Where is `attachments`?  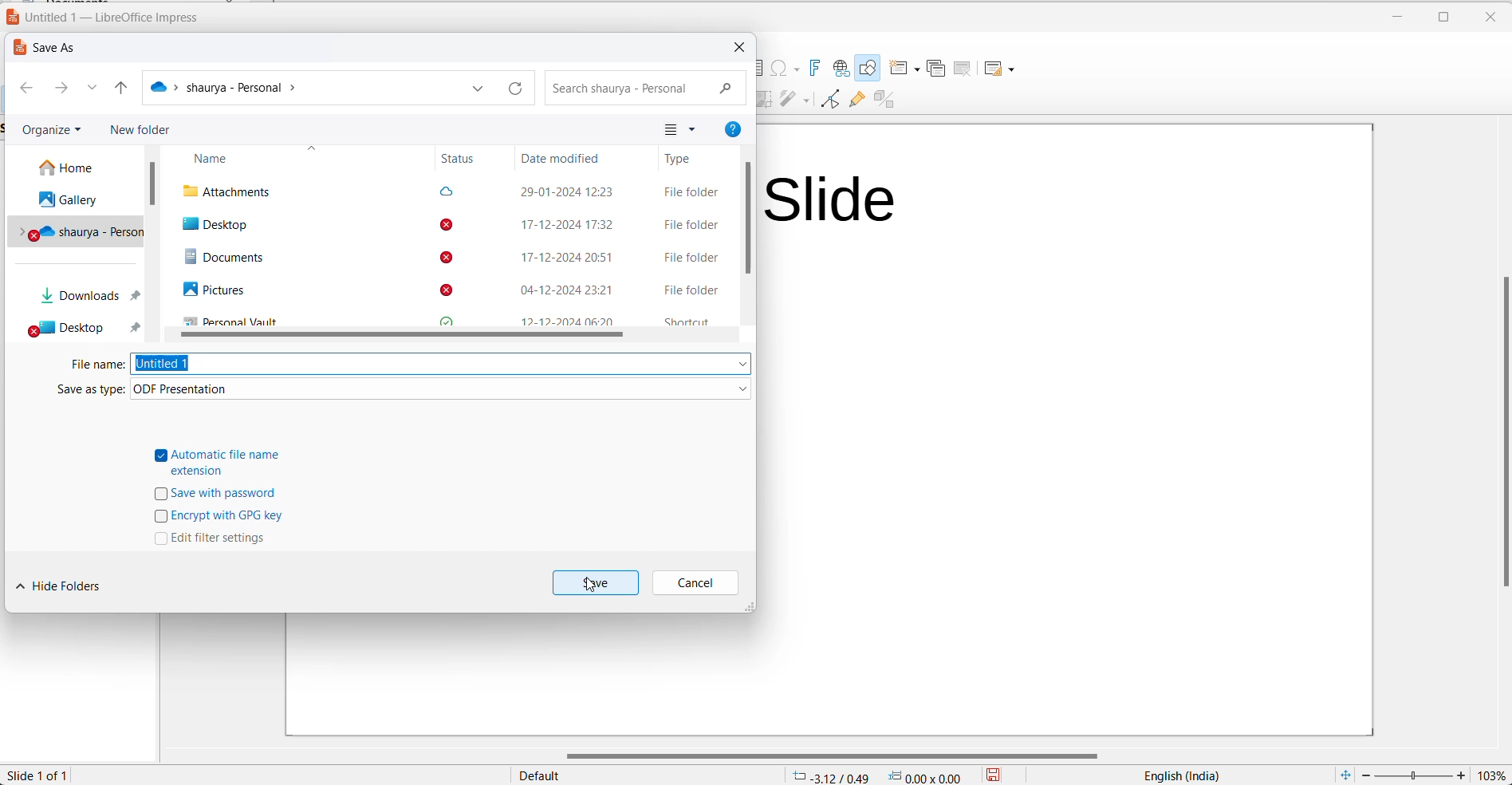
attachments is located at coordinates (234, 191).